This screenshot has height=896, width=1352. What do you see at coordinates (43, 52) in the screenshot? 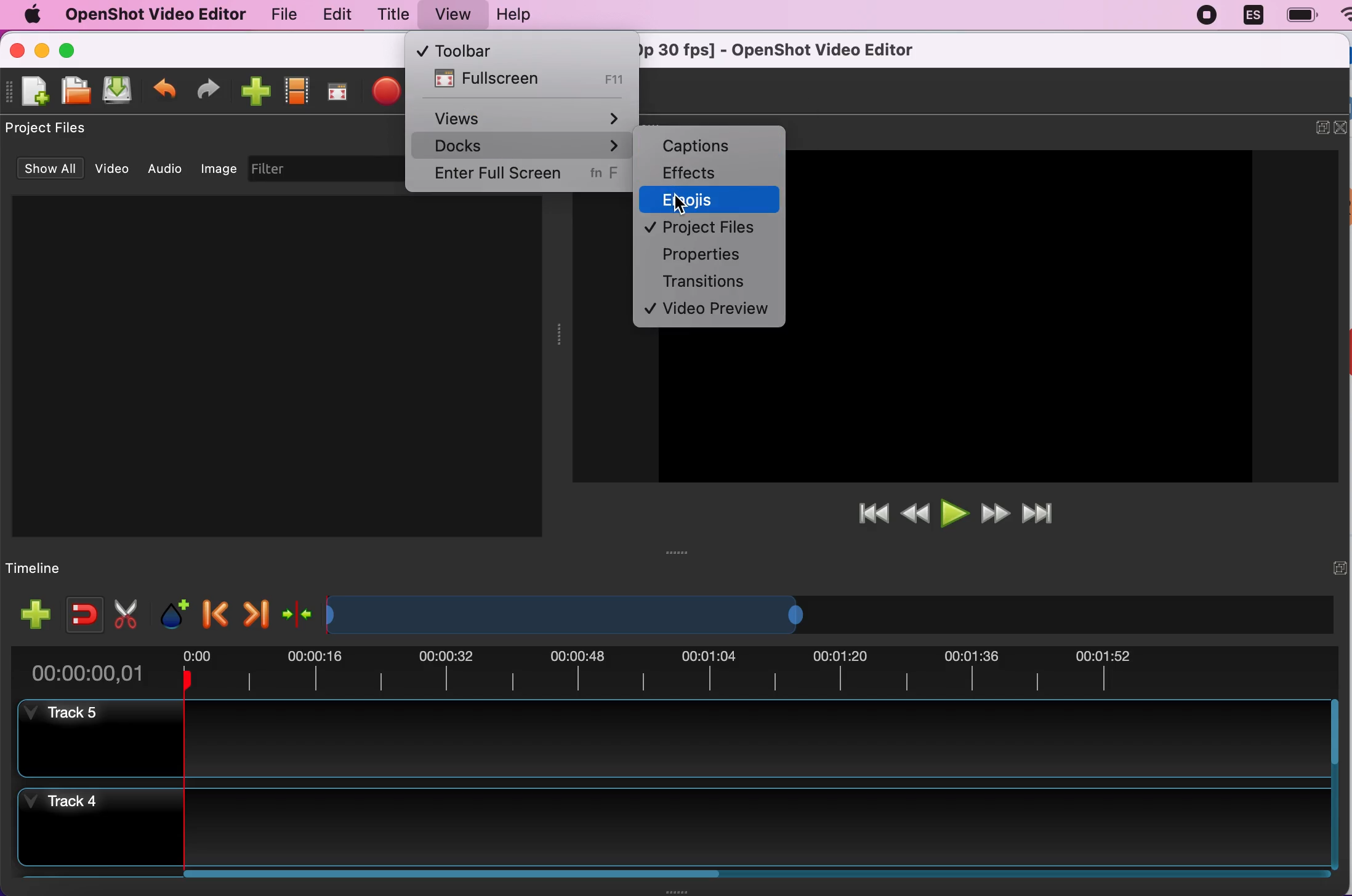
I see `minimize` at bounding box center [43, 52].